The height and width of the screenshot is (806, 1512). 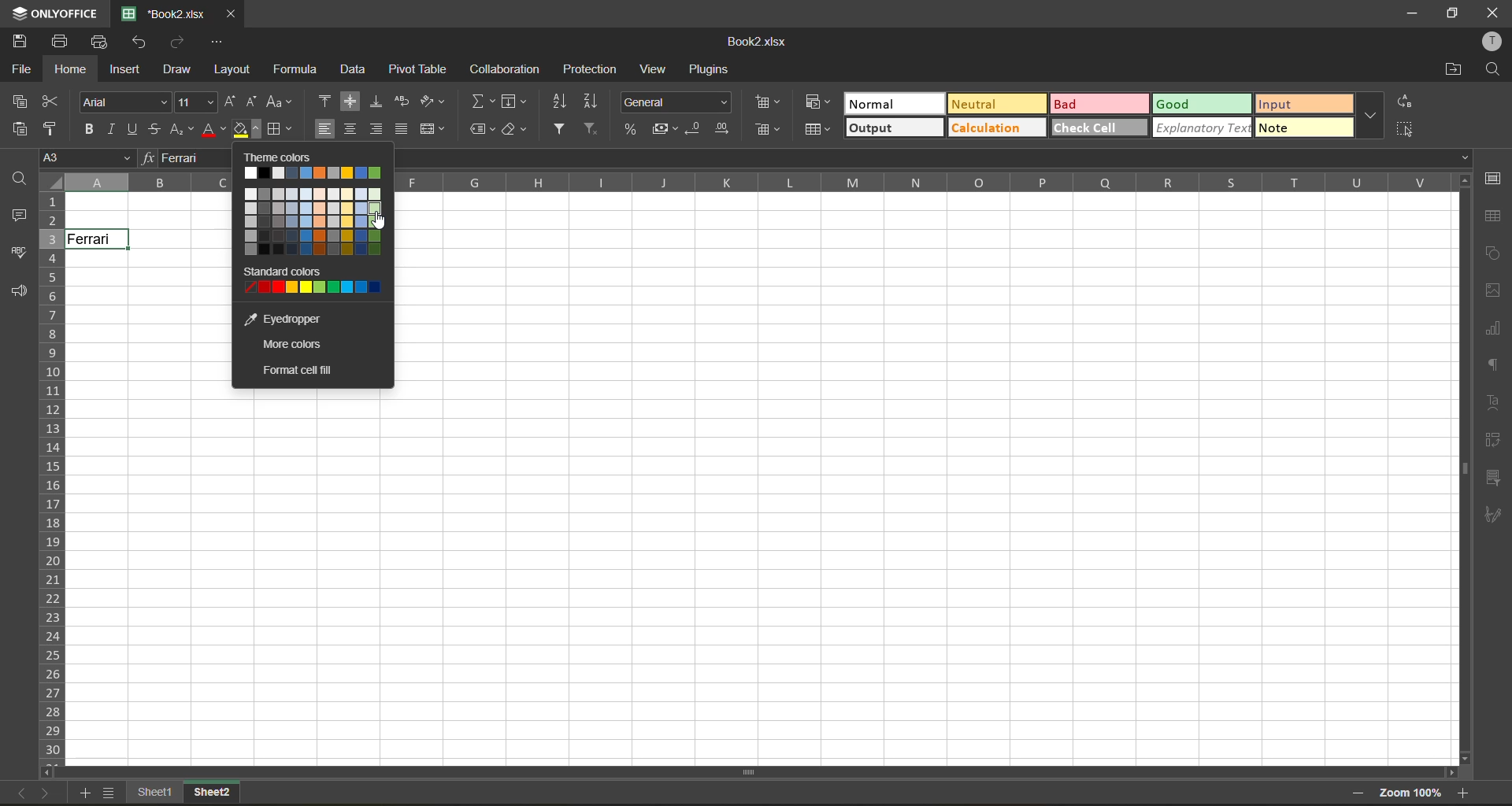 What do you see at coordinates (90, 129) in the screenshot?
I see `bold` at bounding box center [90, 129].